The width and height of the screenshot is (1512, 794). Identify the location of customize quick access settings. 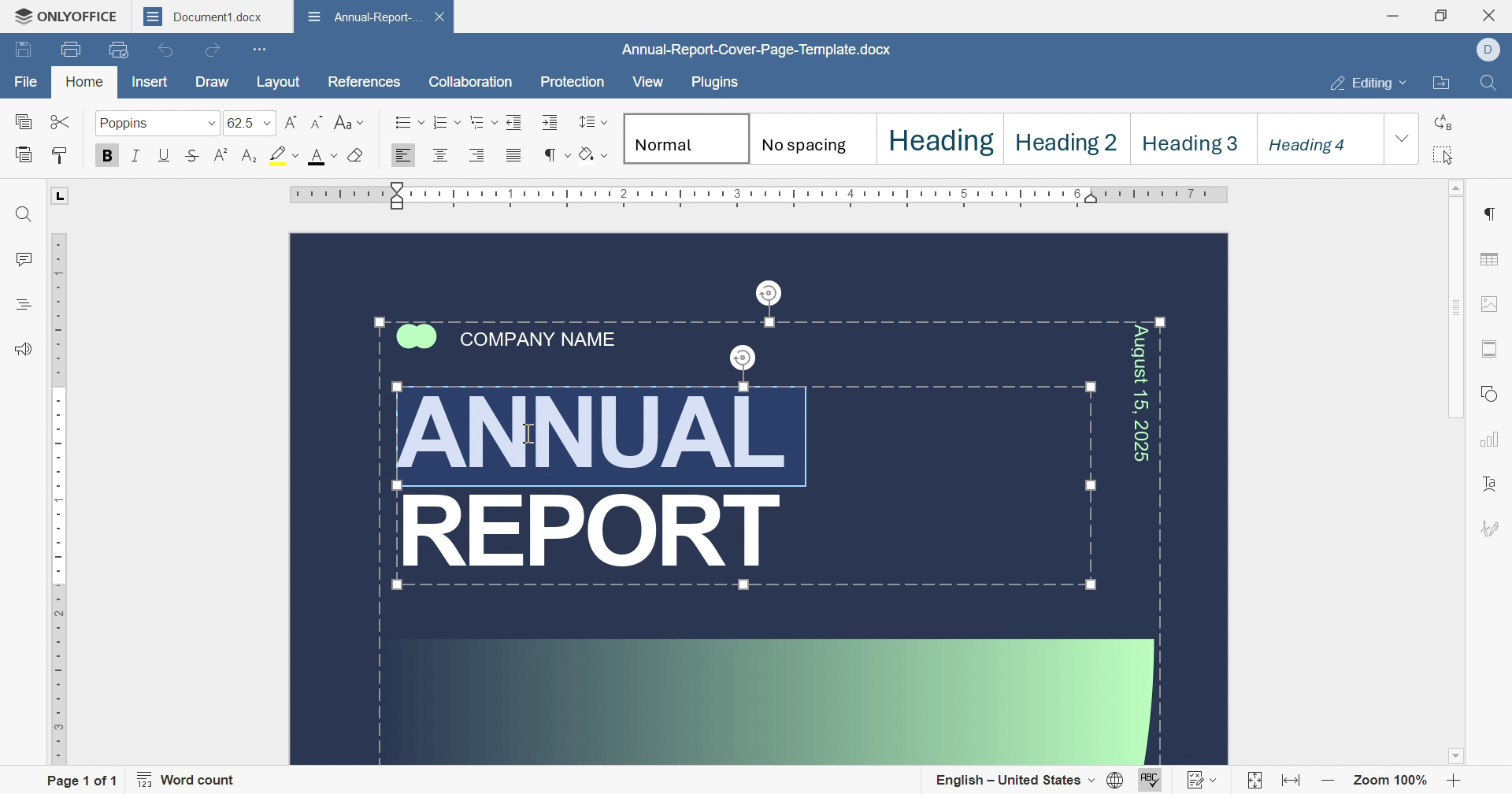
(262, 49).